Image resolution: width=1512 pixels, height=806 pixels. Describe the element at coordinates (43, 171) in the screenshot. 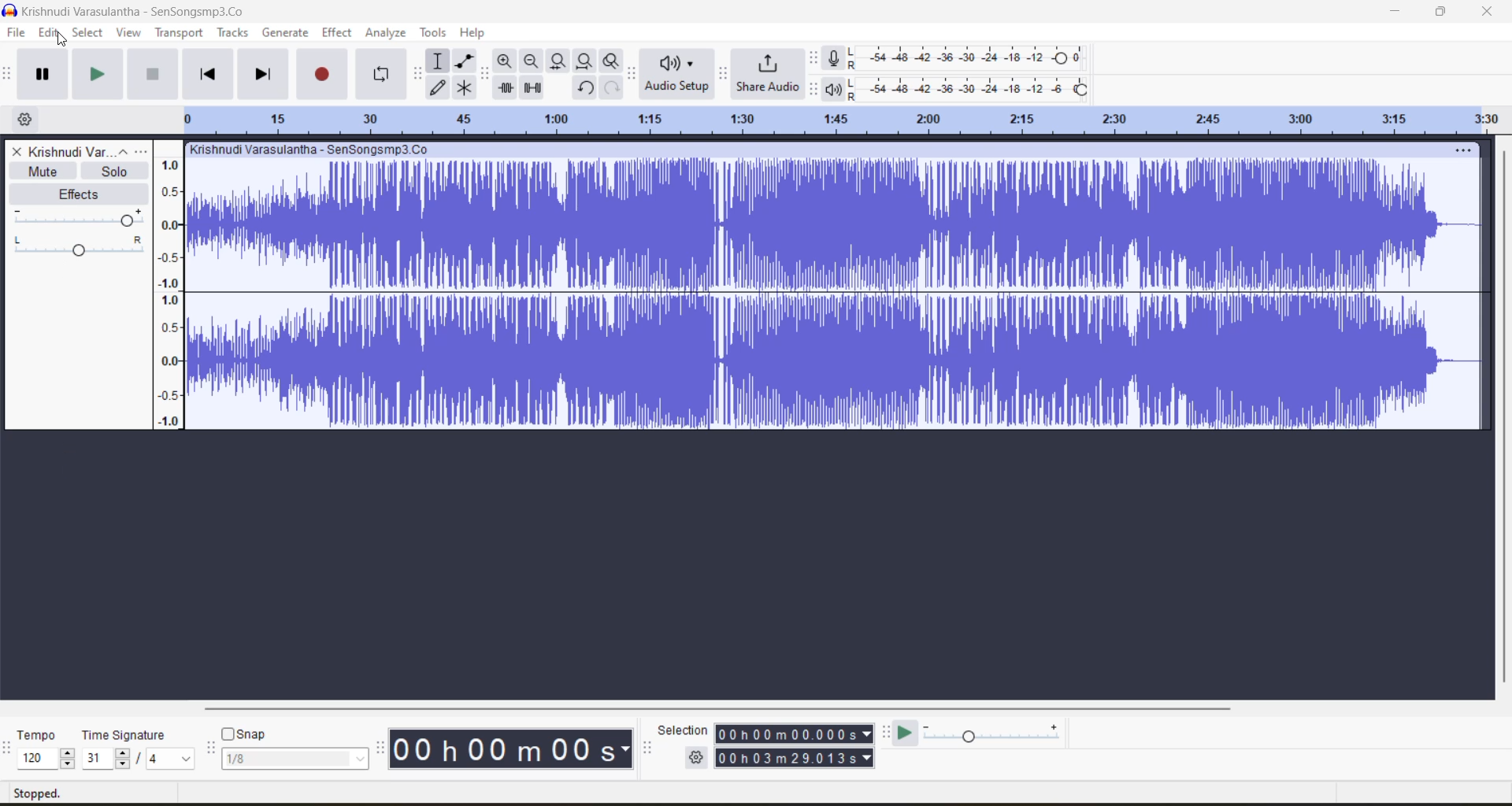

I see `mute` at that location.